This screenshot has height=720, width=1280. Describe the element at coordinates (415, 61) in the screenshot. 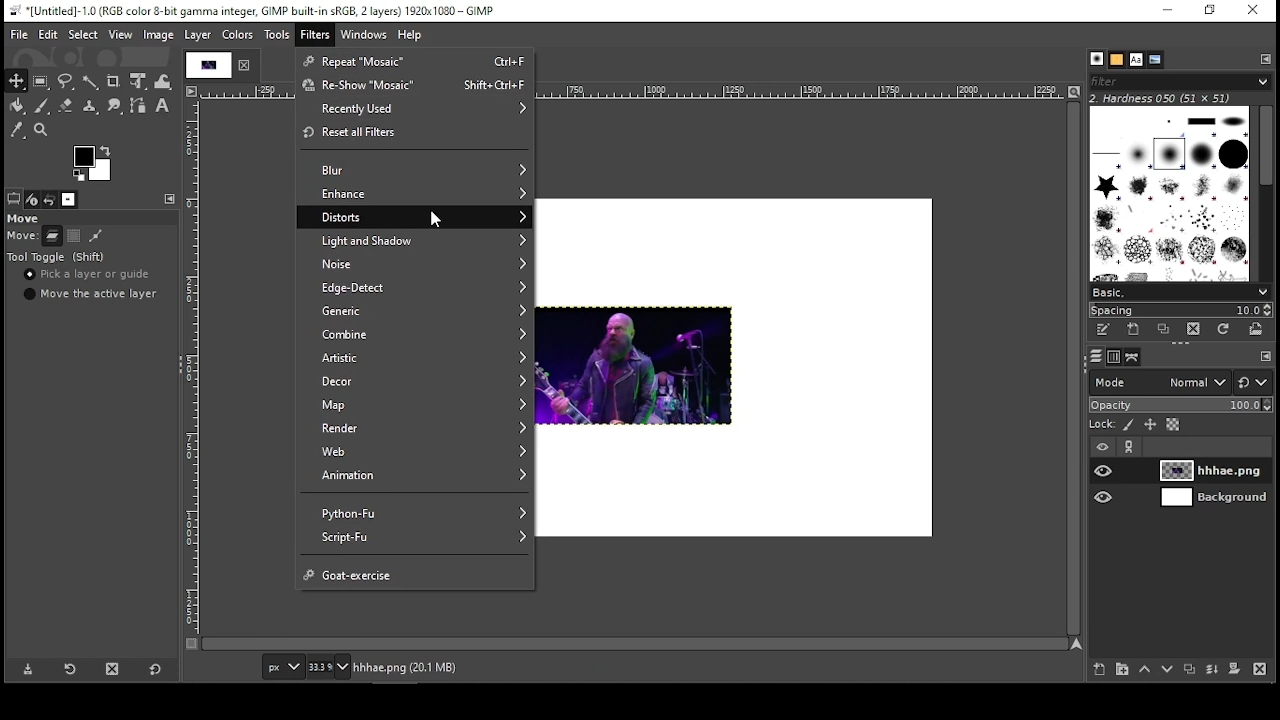

I see `repeat` at that location.